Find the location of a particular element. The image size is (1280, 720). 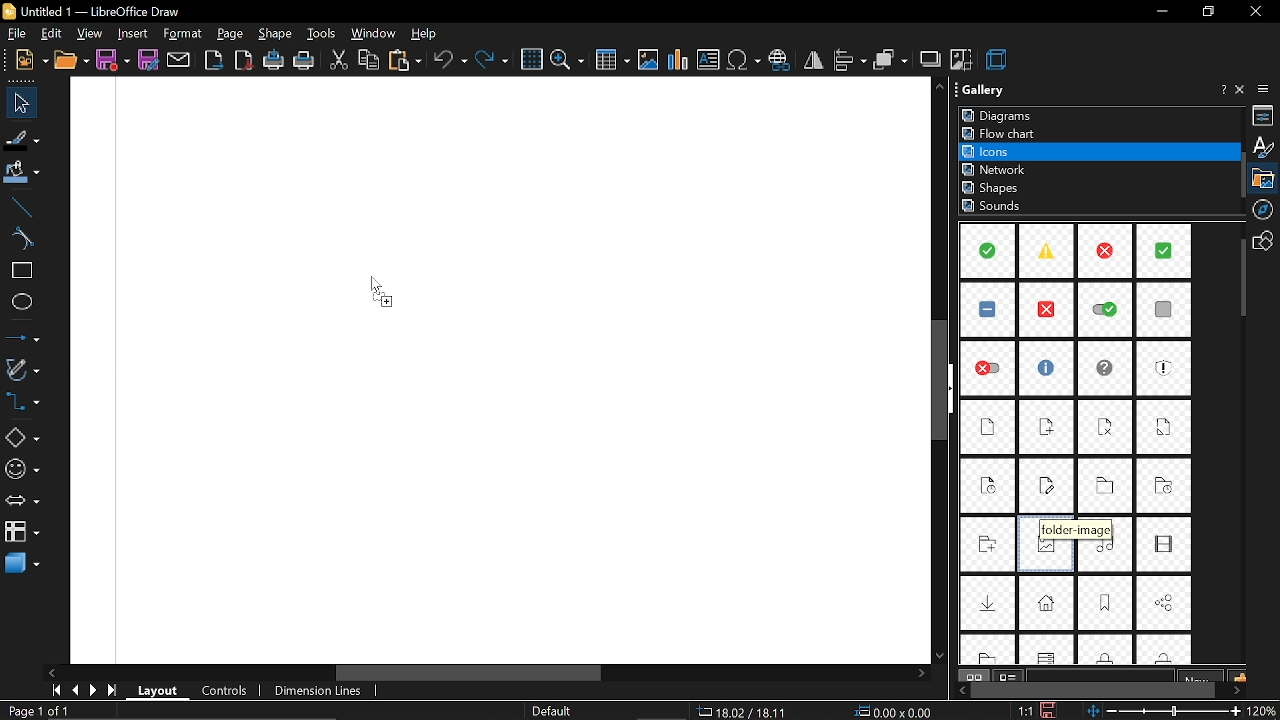

horizontal scrollbar is located at coordinates (1094, 690).